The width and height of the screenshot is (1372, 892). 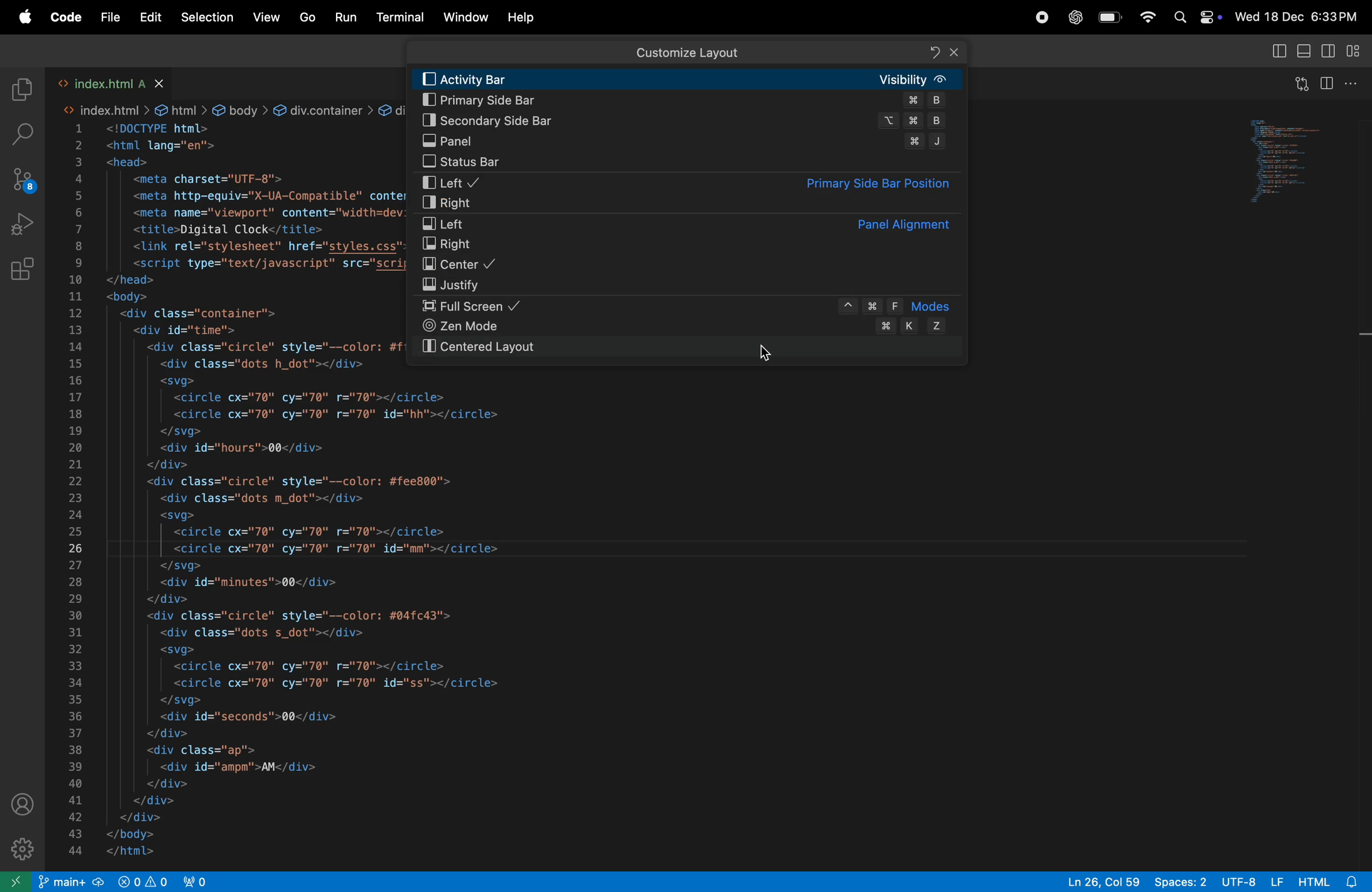 I want to click on Primary side, so click(x=689, y=100).